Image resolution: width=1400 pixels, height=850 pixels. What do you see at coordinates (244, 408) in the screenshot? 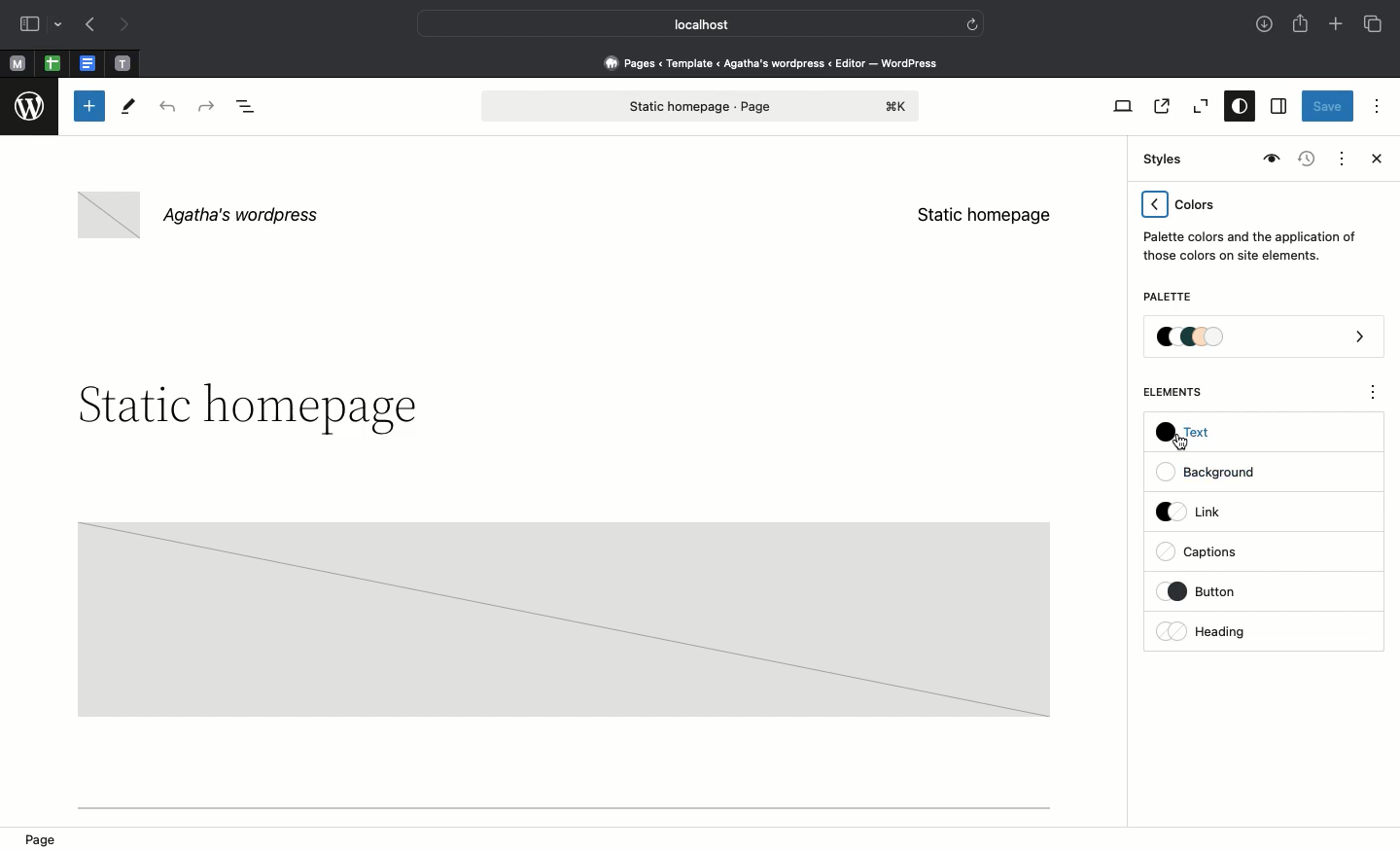
I see `Headline` at bounding box center [244, 408].